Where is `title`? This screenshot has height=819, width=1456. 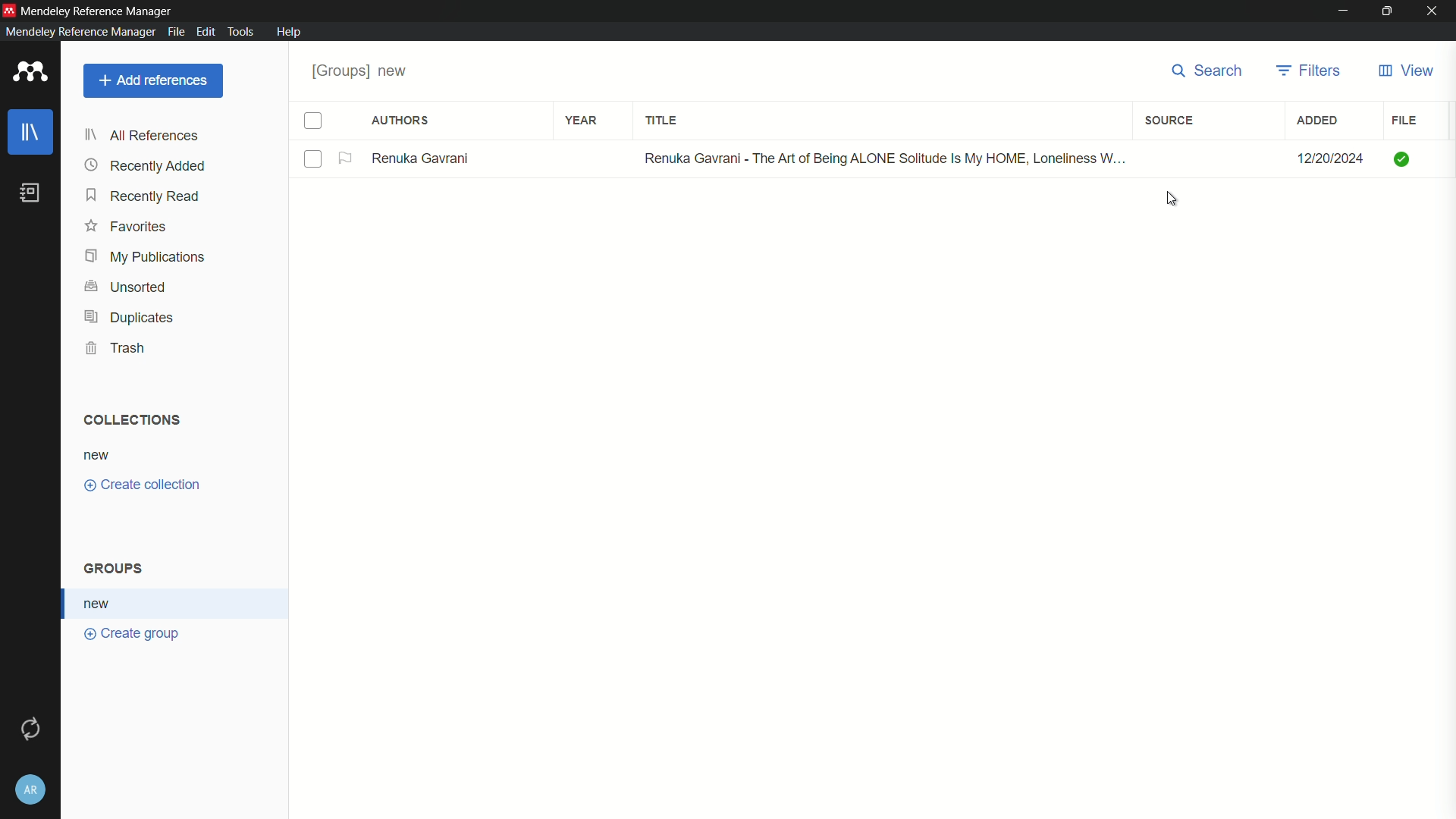 title is located at coordinates (664, 121).